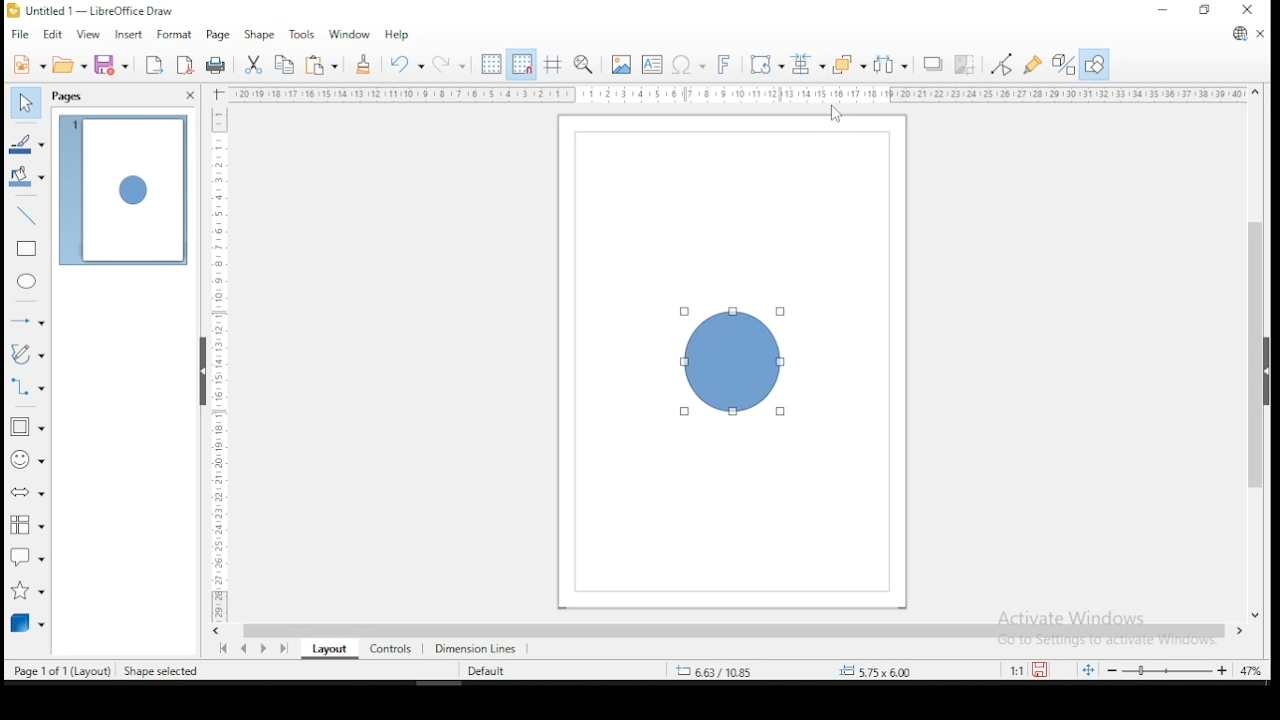 The image size is (1280, 720). Describe the element at coordinates (70, 64) in the screenshot. I see `open` at that location.